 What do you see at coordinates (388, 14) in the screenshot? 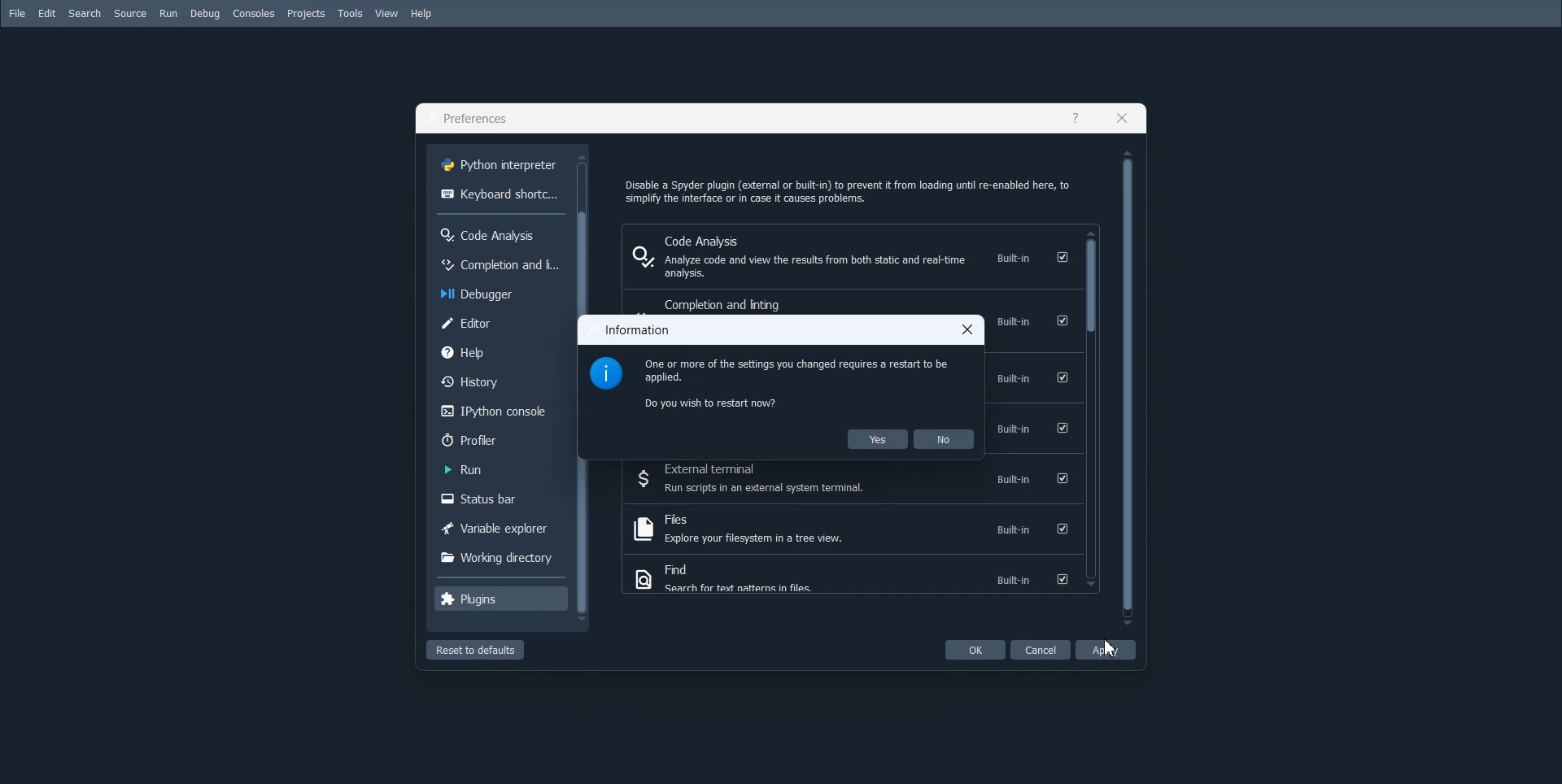
I see `View` at bounding box center [388, 14].